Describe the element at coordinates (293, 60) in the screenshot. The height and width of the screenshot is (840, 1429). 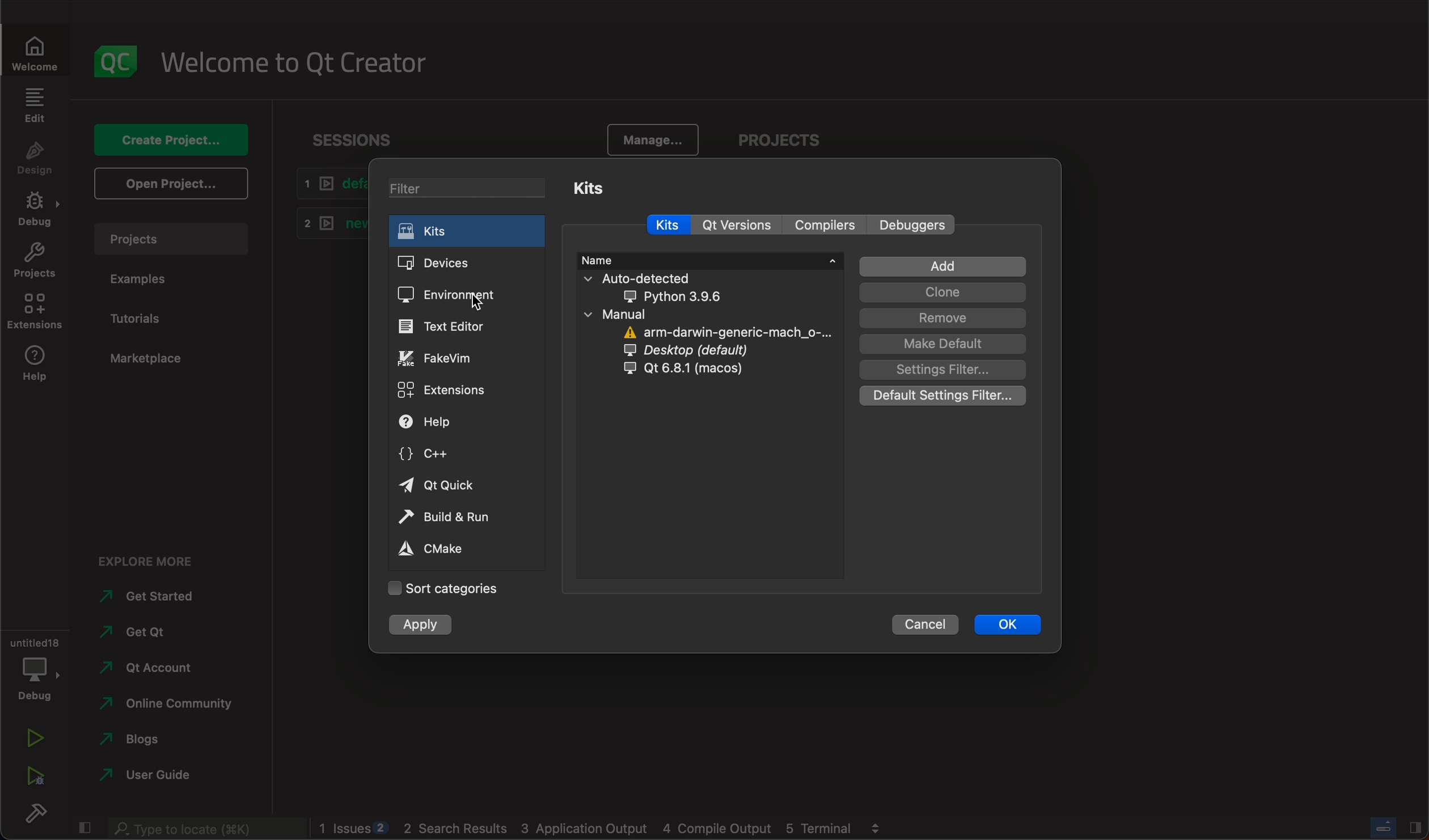
I see `welcome` at that location.